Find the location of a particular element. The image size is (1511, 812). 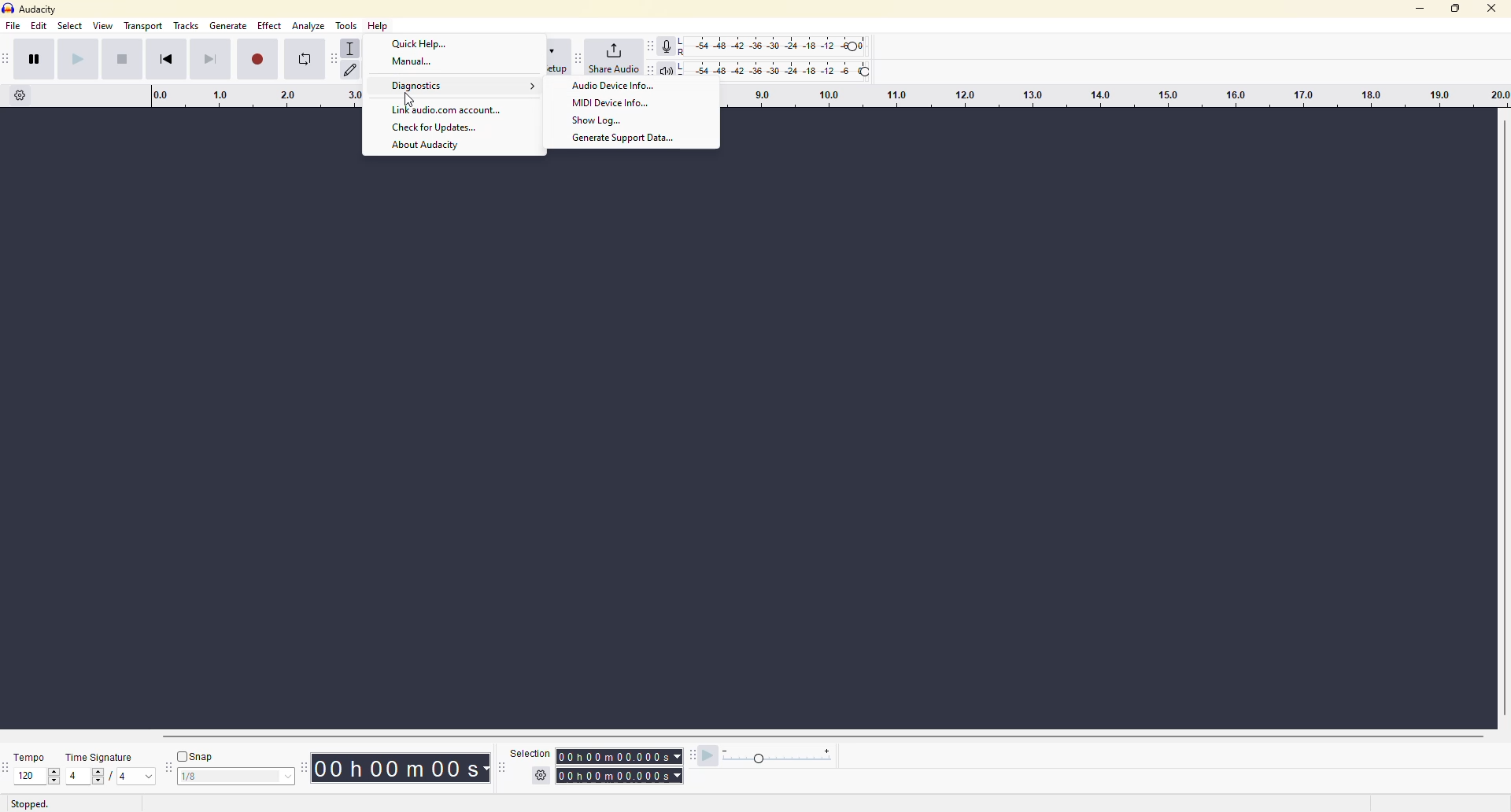

value is located at coordinates (29, 776).